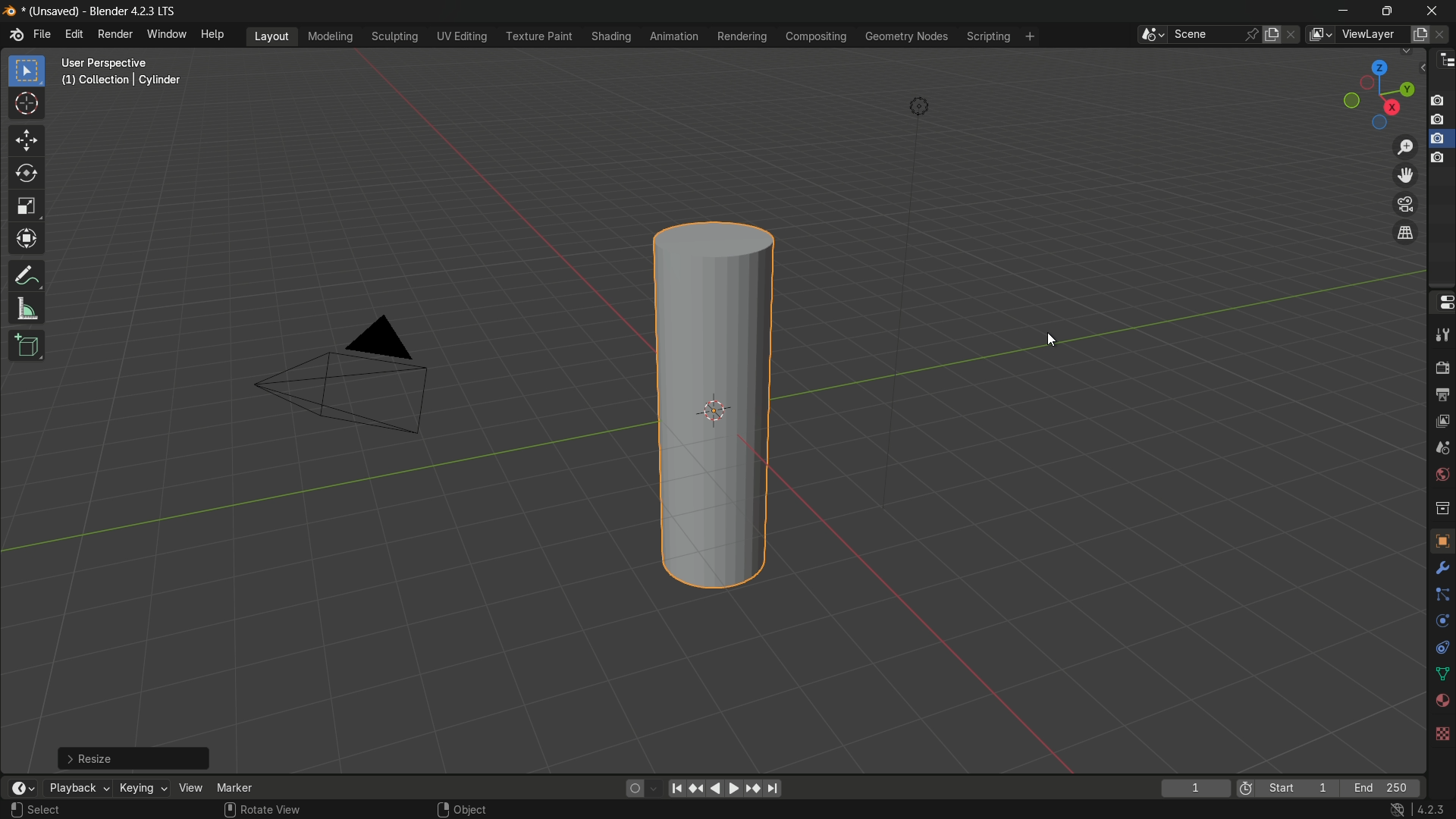 This screenshot has height=819, width=1456. Describe the element at coordinates (1442, 475) in the screenshot. I see `world` at that location.